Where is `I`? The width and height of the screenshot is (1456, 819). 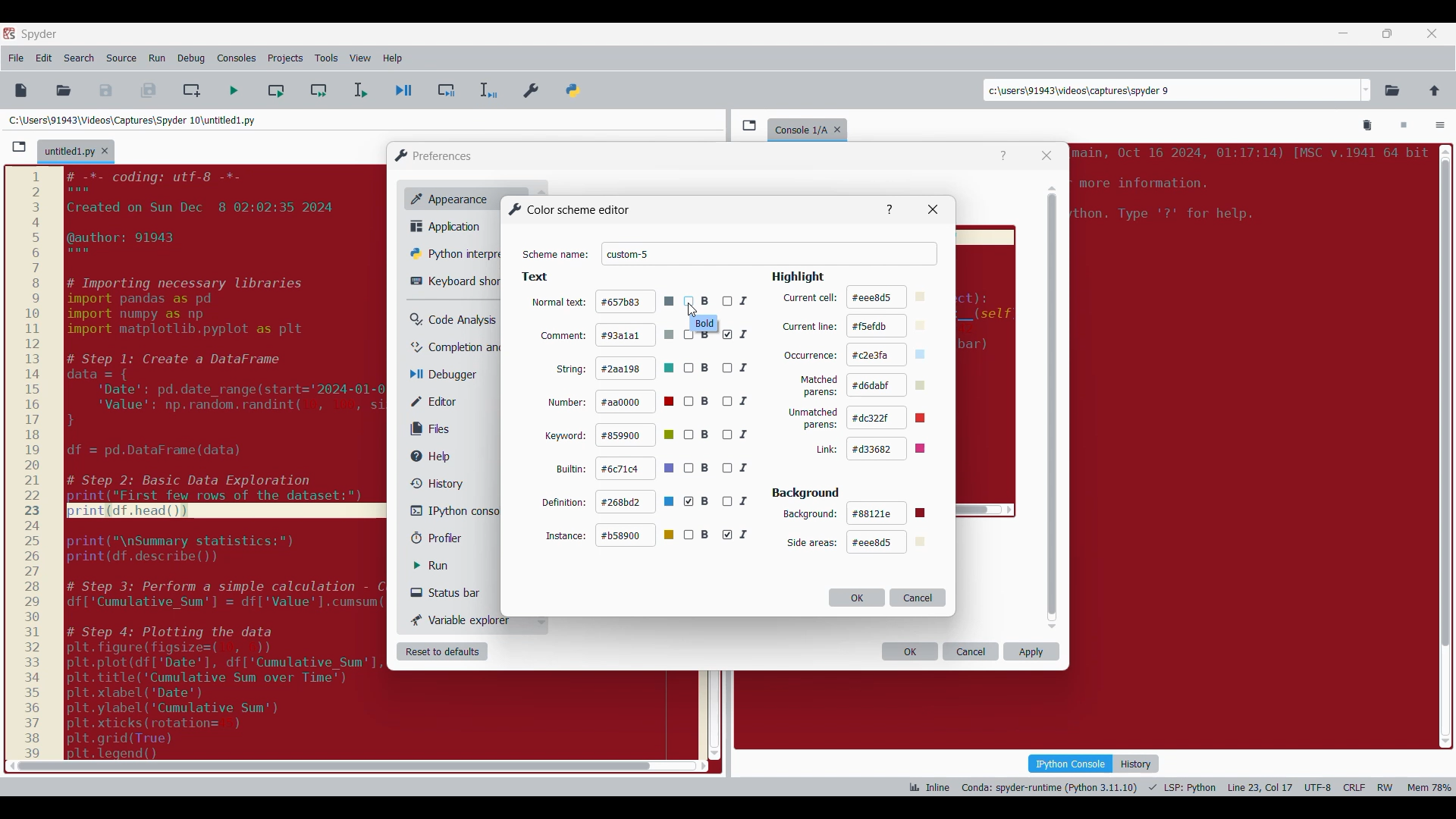 I is located at coordinates (736, 367).